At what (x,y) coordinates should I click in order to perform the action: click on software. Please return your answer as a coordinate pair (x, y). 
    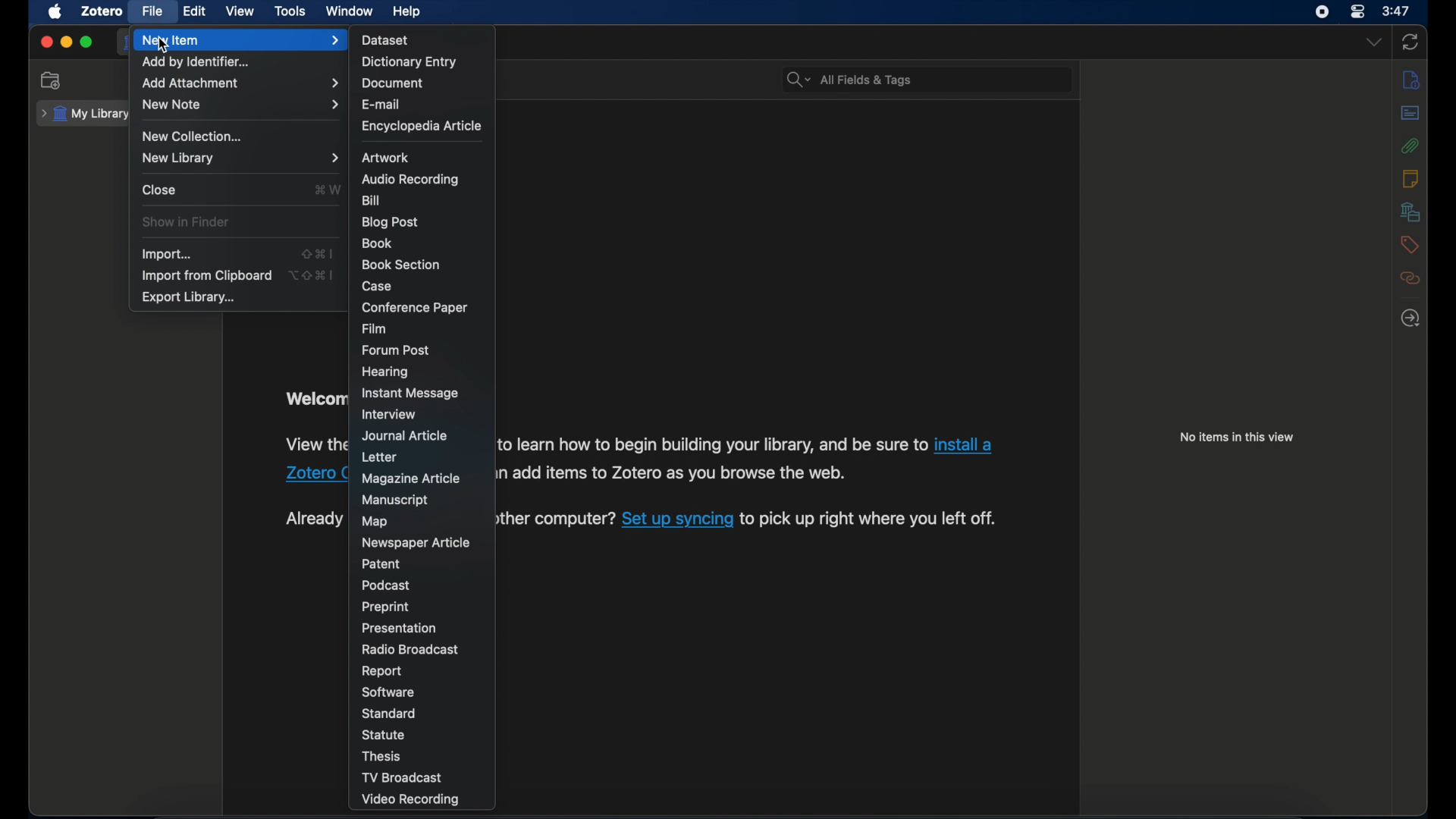
    Looking at the image, I should click on (388, 692).